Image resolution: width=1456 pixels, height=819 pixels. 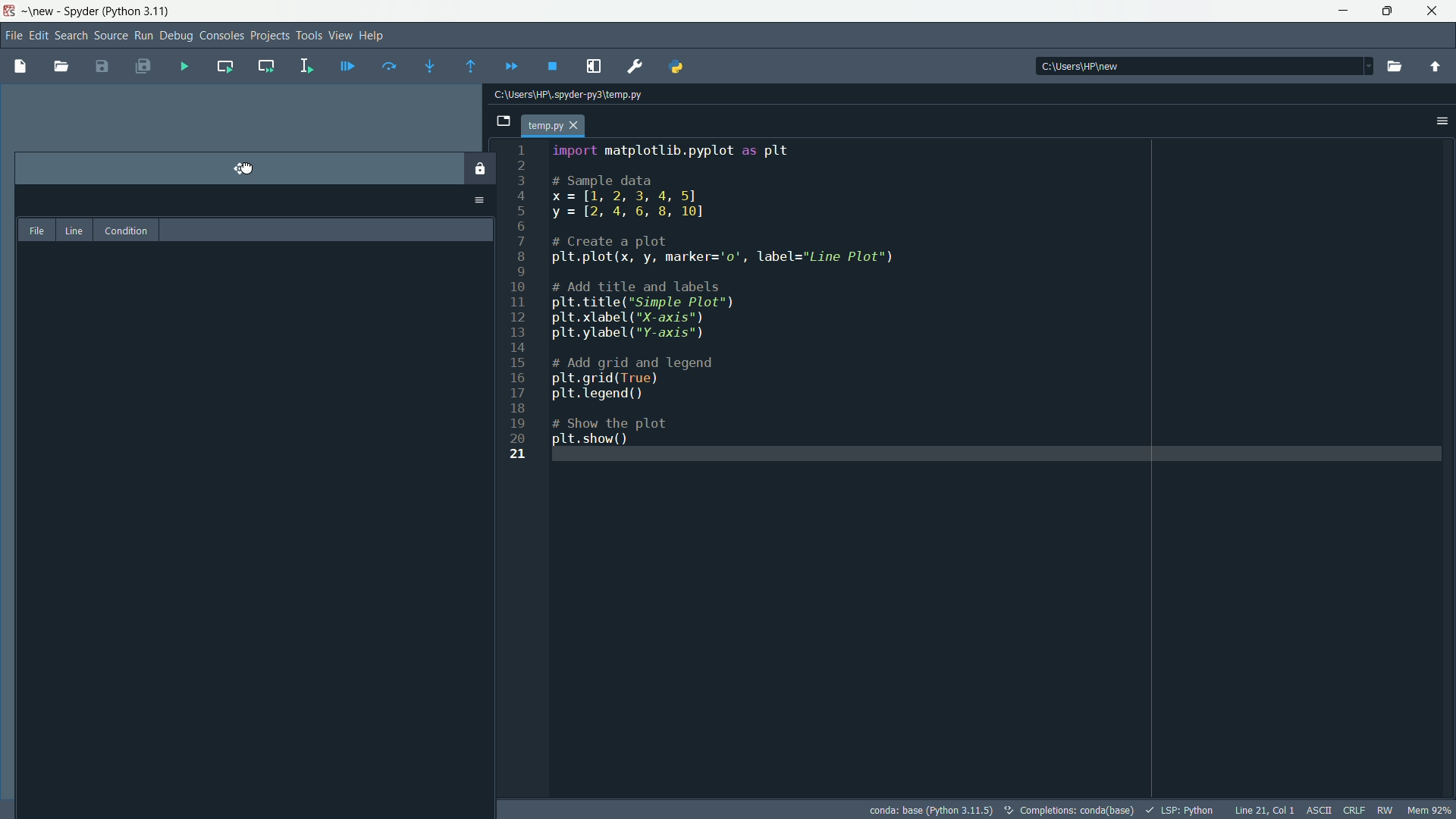 What do you see at coordinates (1441, 123) in the screenshot?
I see `sidebar menu` at bounding box center [1441, 123].